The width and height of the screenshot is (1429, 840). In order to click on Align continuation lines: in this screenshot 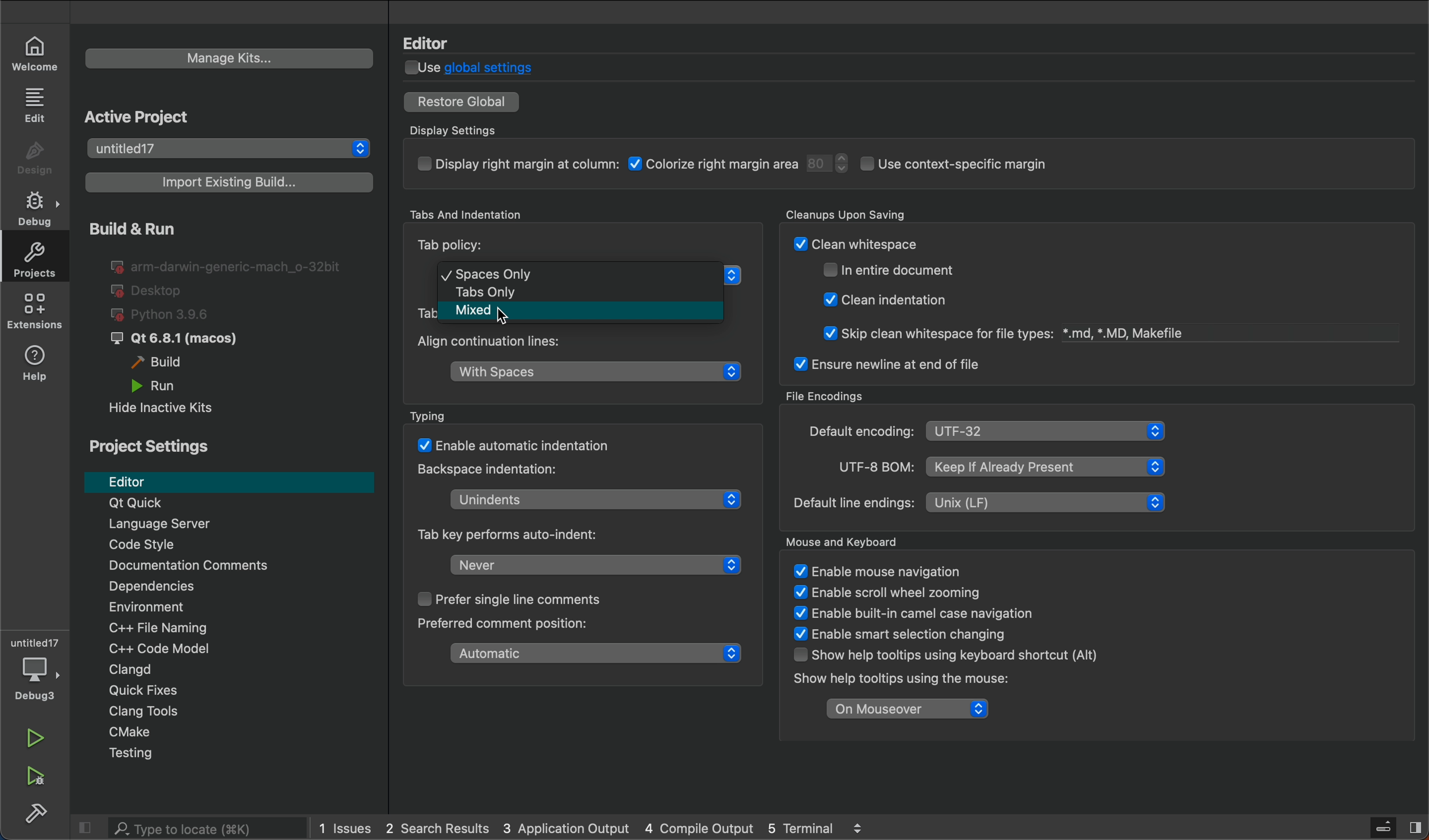, I will do `click(509, 344)`.